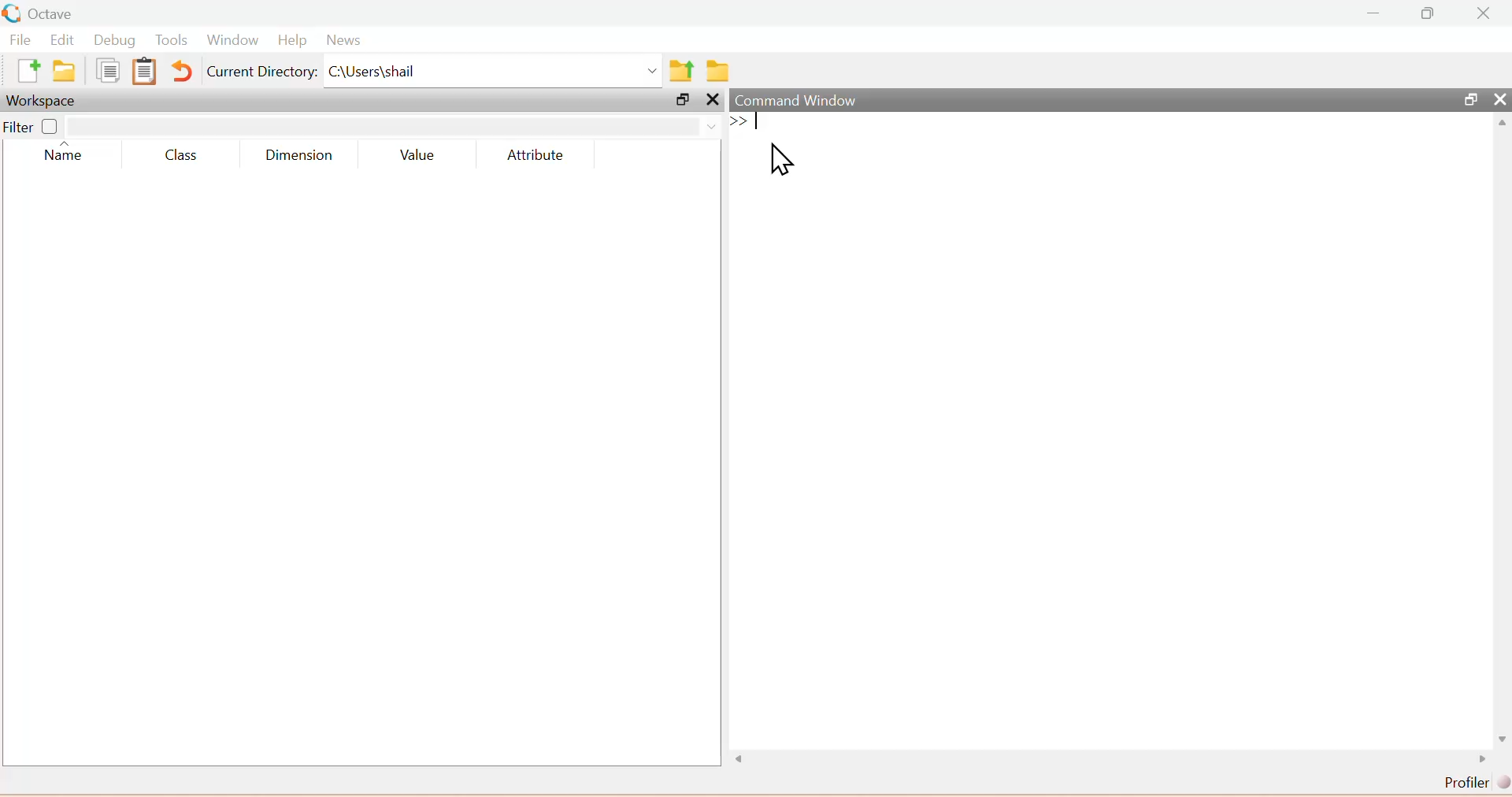 The width and height of the screenshot is (1512, 797). I want to click on Maximize, so click(680, 100).